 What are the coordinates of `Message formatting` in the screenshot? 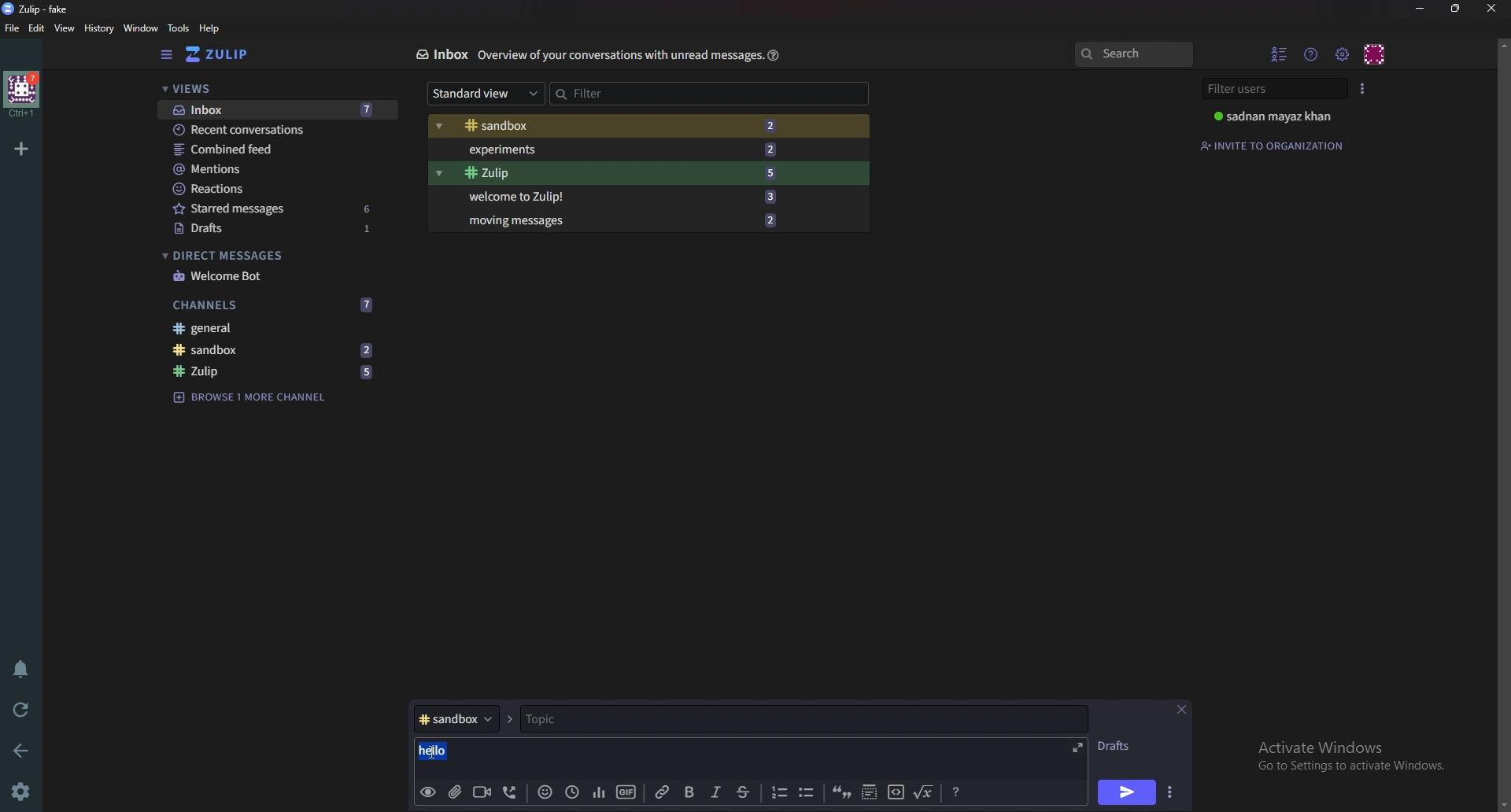 It's located at (954, 791).